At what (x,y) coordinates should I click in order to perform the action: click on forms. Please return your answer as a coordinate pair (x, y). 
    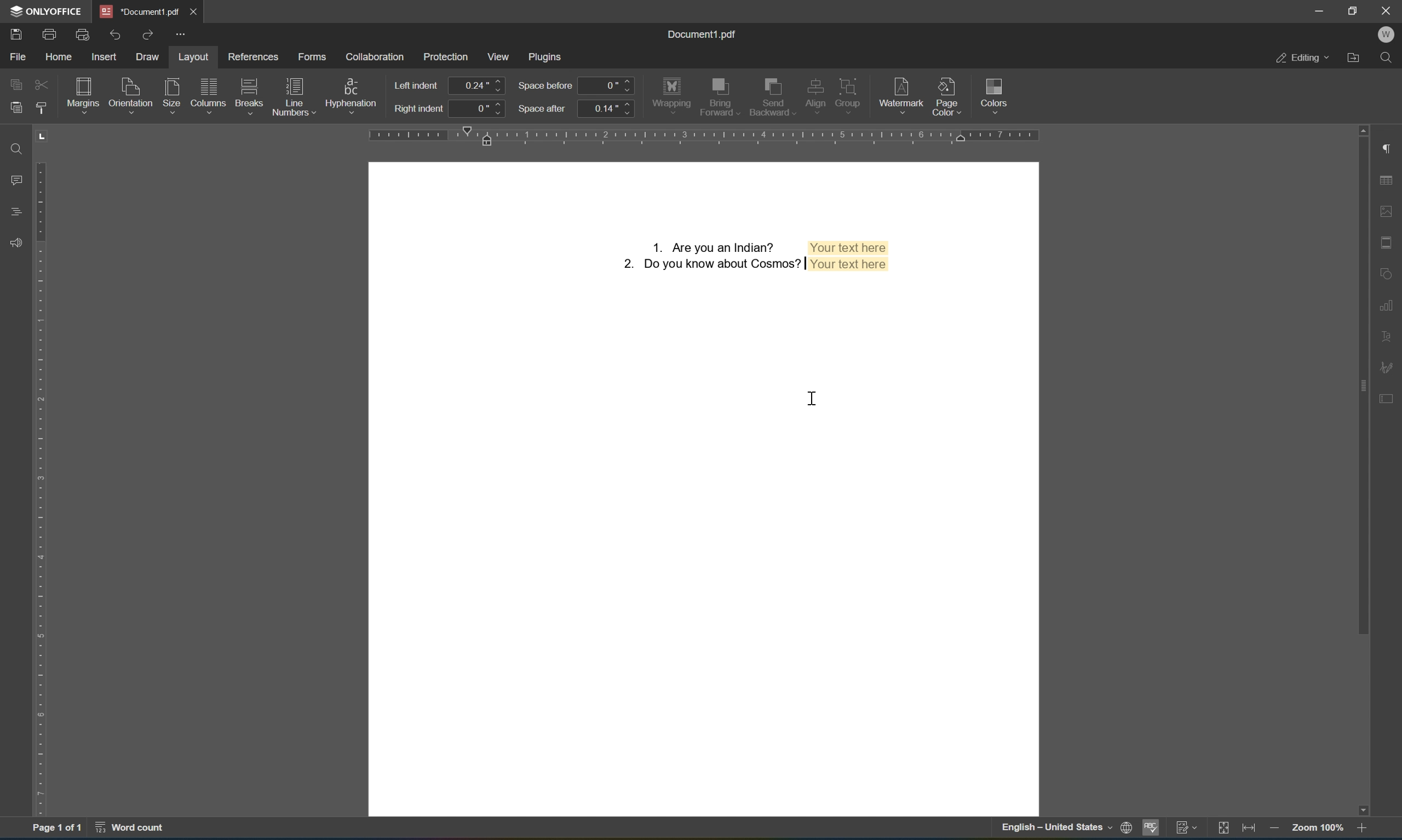
    Looking at the image, I should click on (315, 59).